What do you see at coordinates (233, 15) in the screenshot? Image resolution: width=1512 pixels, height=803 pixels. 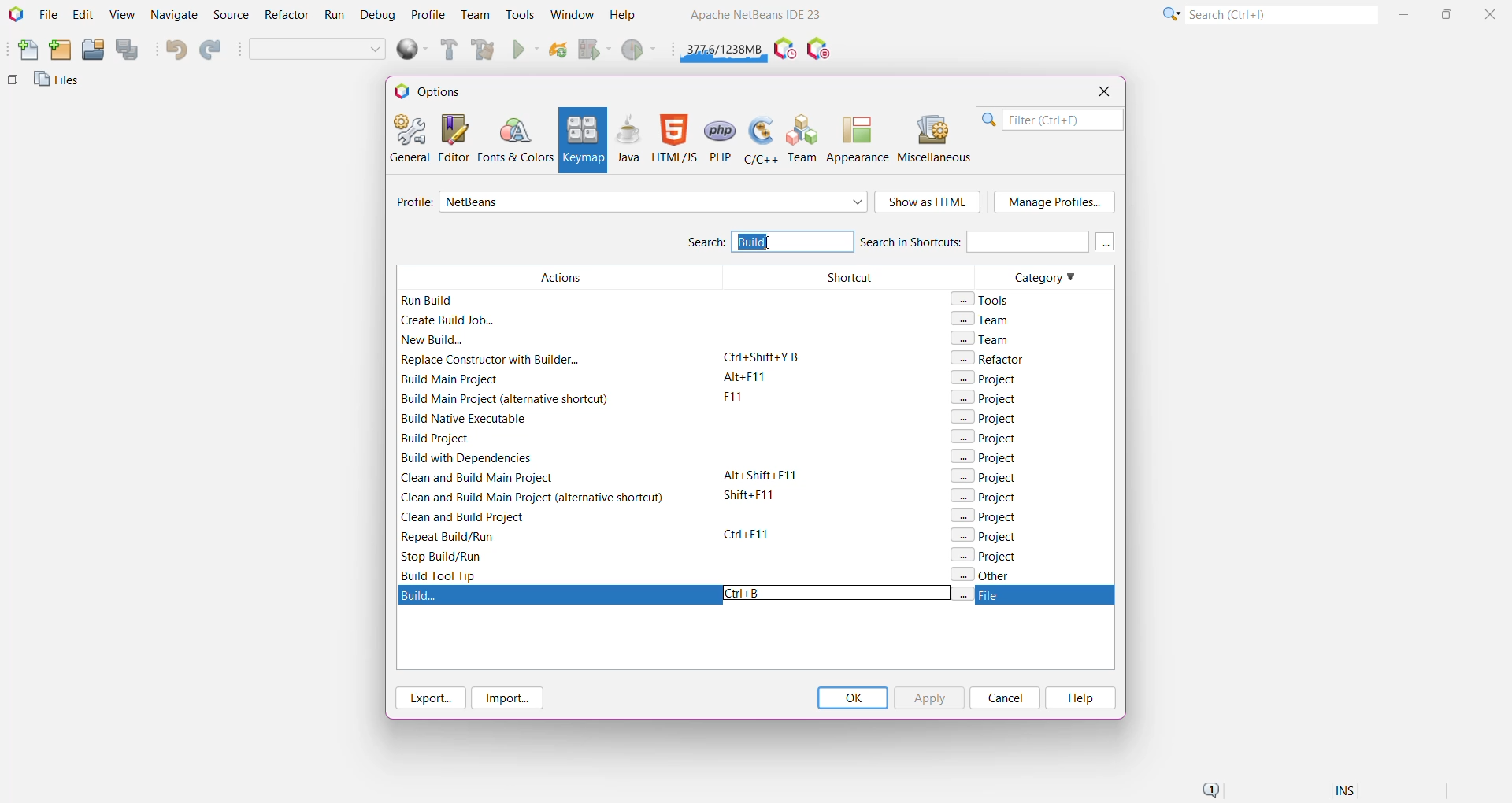 I see `Source` at bounding box center [233, 15].